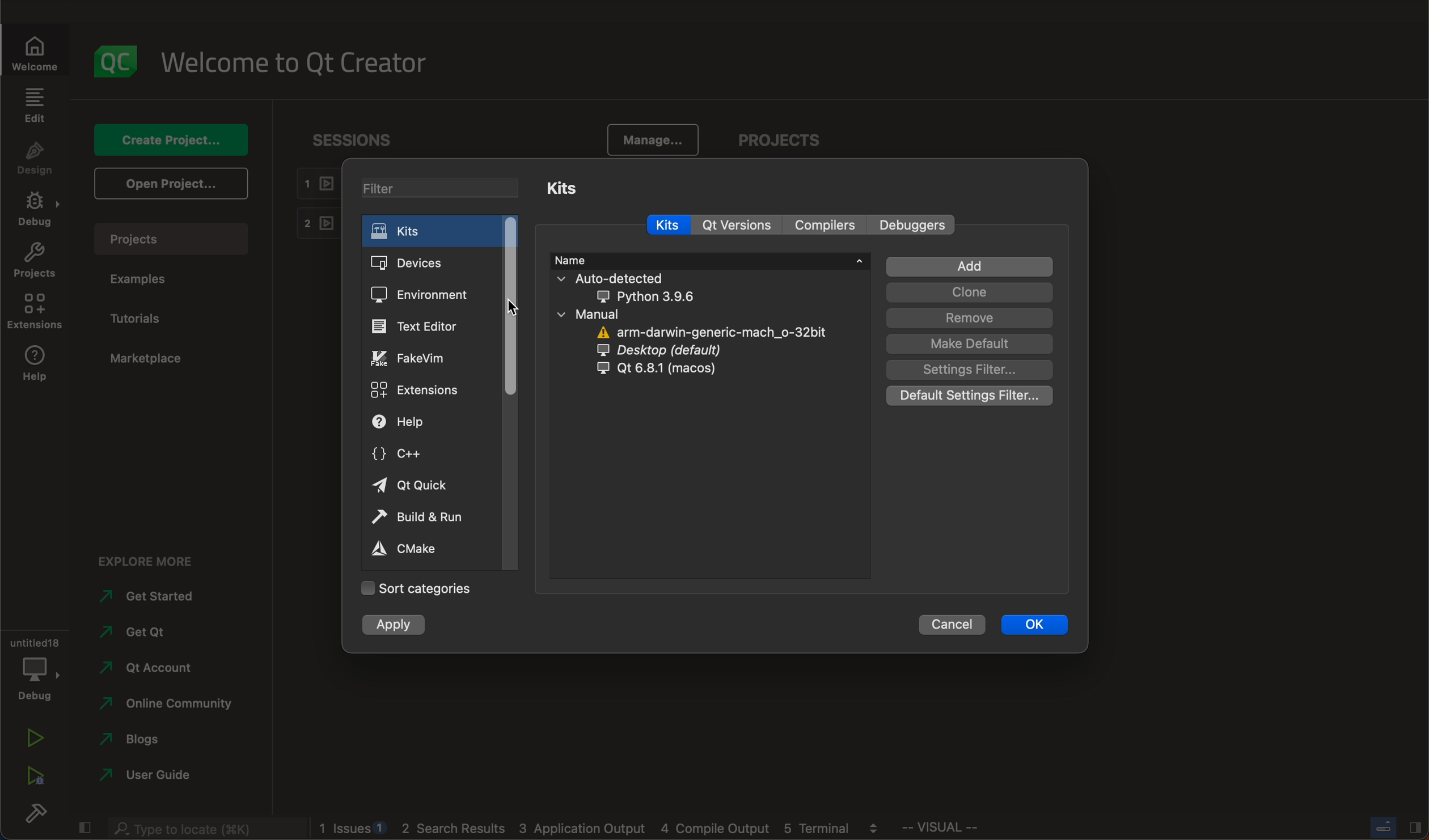 The image size is (1429, 840). What do you see at coordinates (614, 315) in the screenshot?
I see `manual` at bounding box center [614, 315].